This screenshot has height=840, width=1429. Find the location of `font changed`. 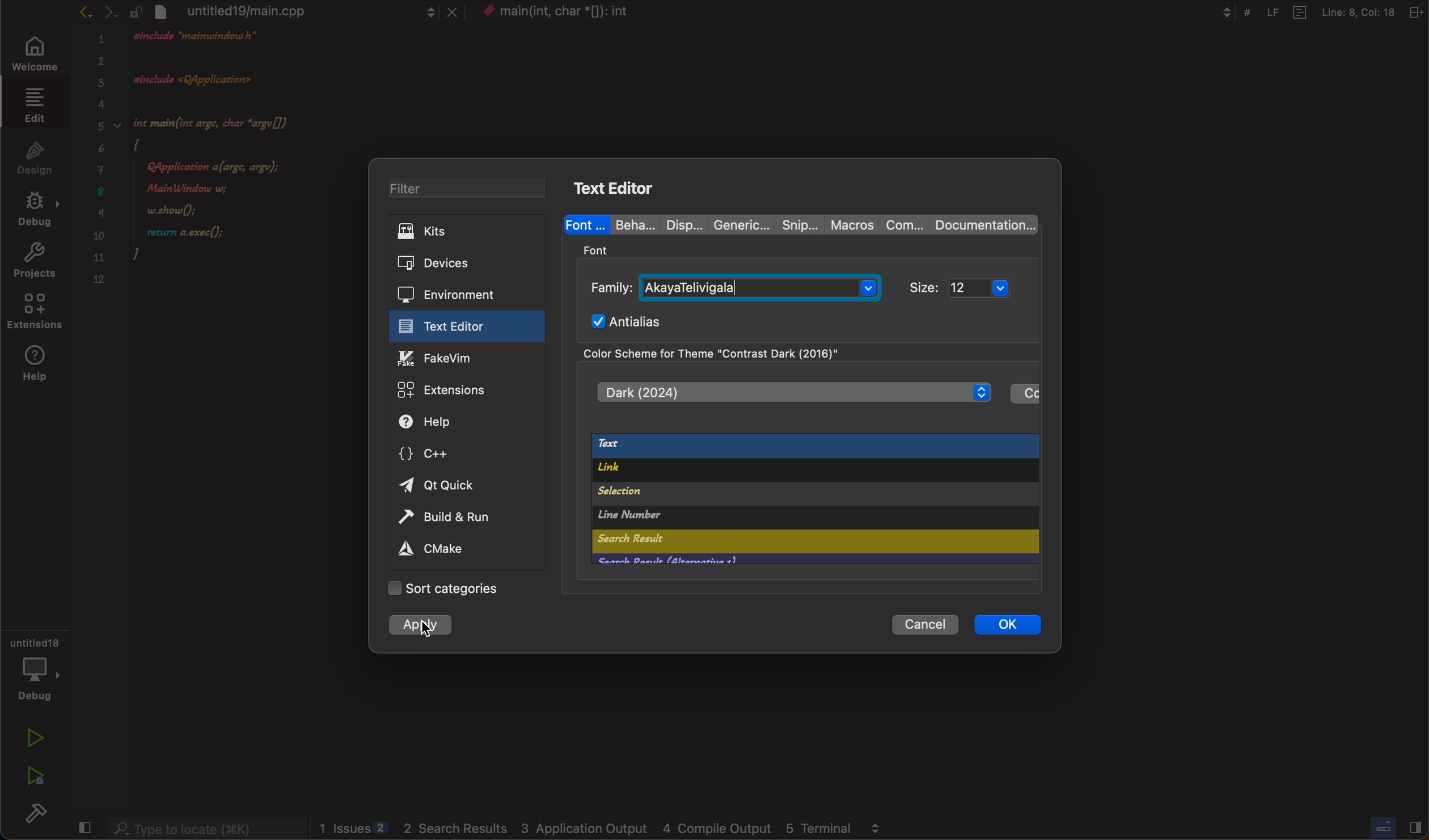

font changed is located at coordinates (232, 156).